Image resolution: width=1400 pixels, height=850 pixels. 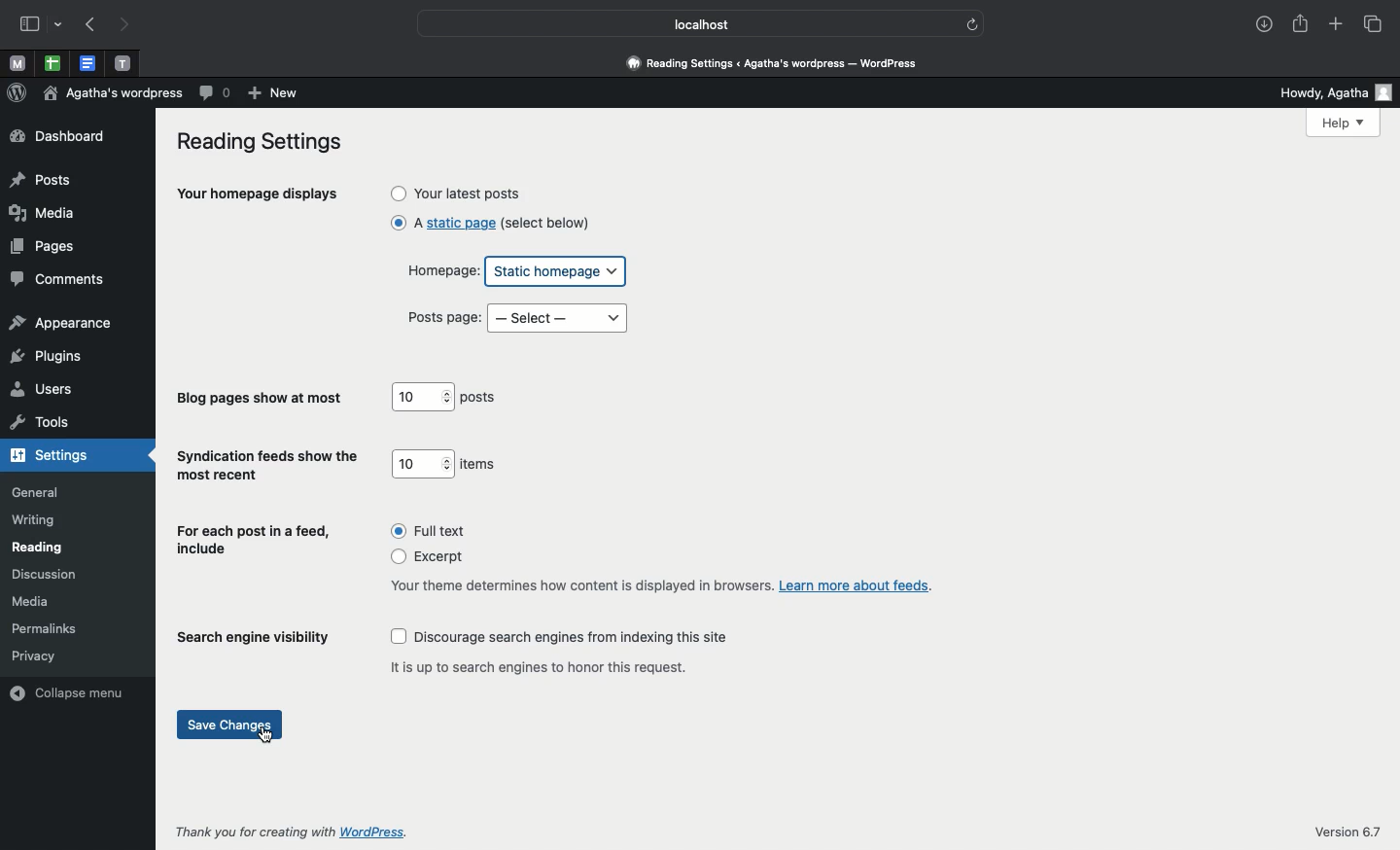 What do you see at coordinates (660, 585) in the screenshot?
I see `Your theme determines how content is displayed in browsers` at bounding box center [660, 585].